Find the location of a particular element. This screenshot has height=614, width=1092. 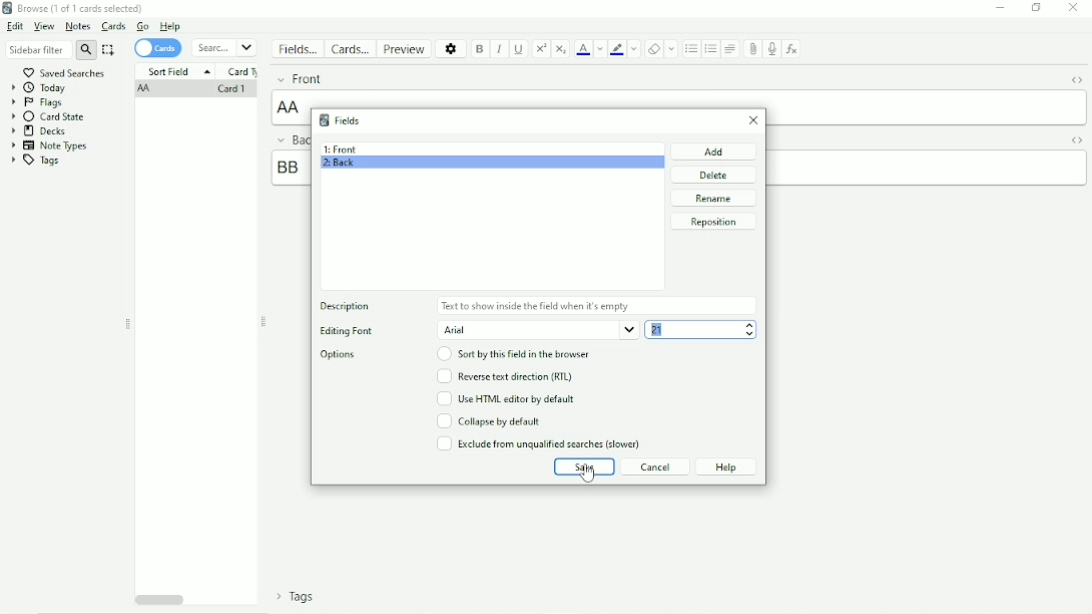

Cards is located at coordinates (158, 49).